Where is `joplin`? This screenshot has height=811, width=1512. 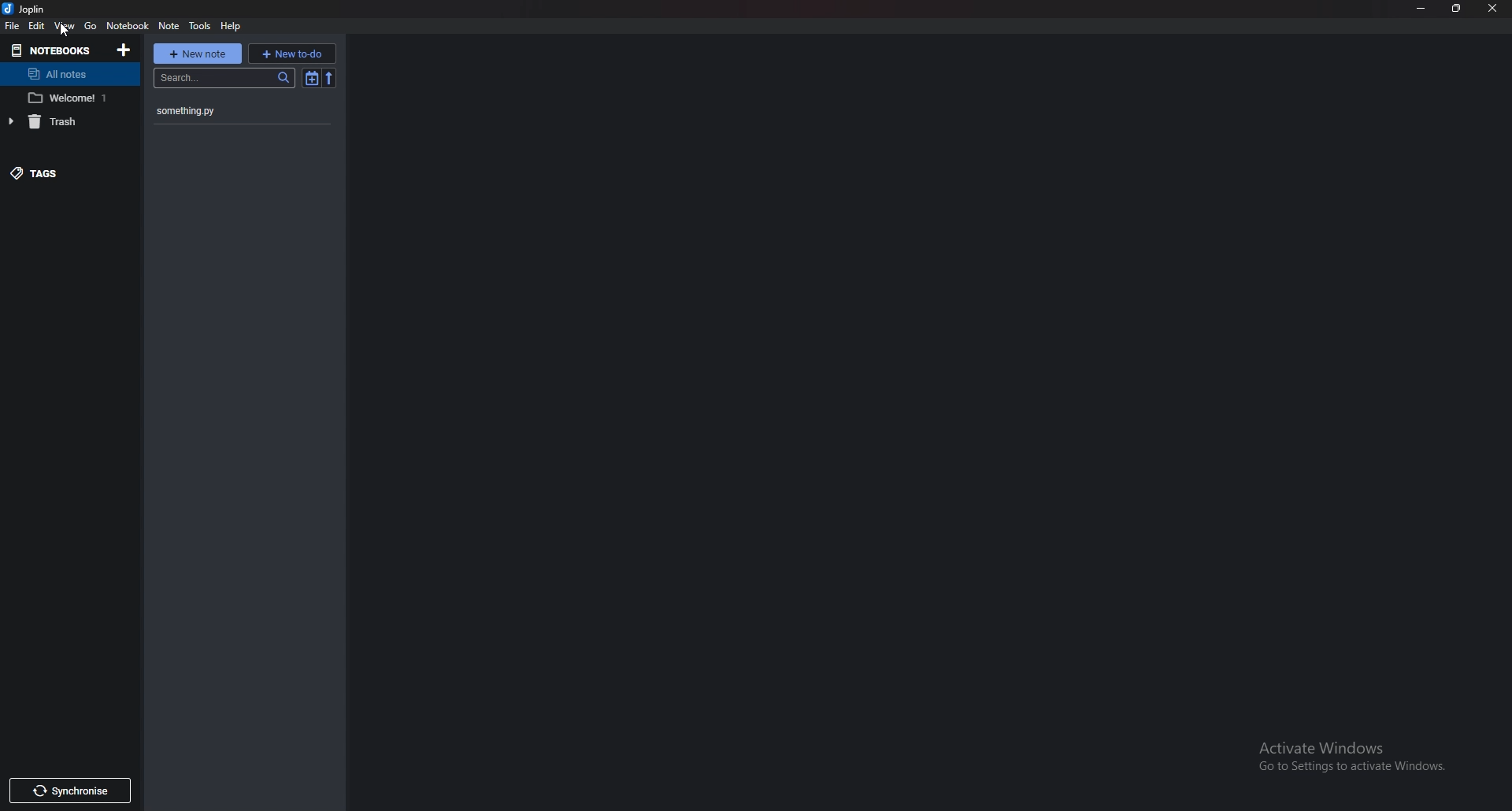
joplin is located at coordinates (27, 9).